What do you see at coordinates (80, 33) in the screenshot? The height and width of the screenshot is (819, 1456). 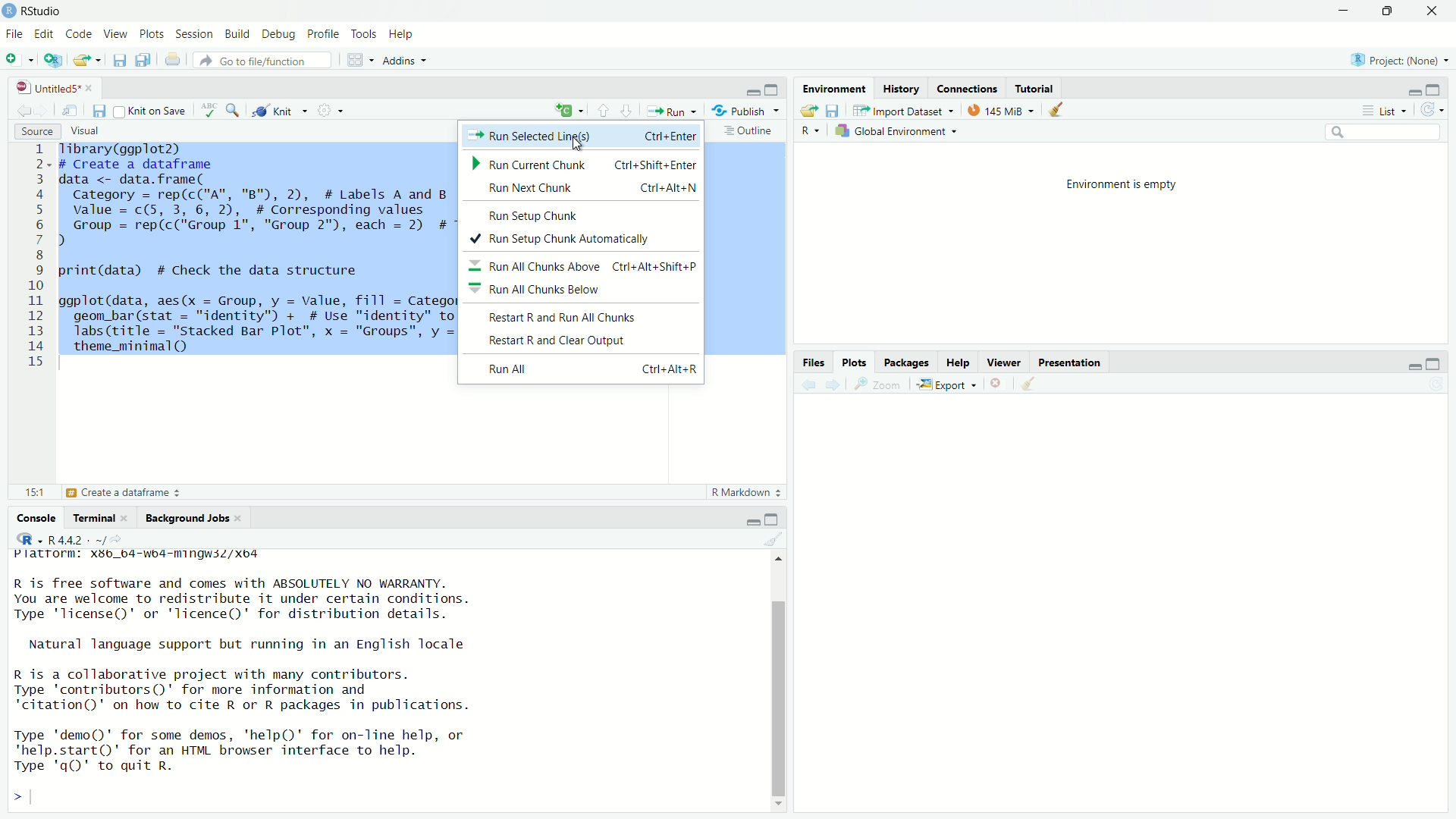 I see `Code` at bounding box center [80, 33].